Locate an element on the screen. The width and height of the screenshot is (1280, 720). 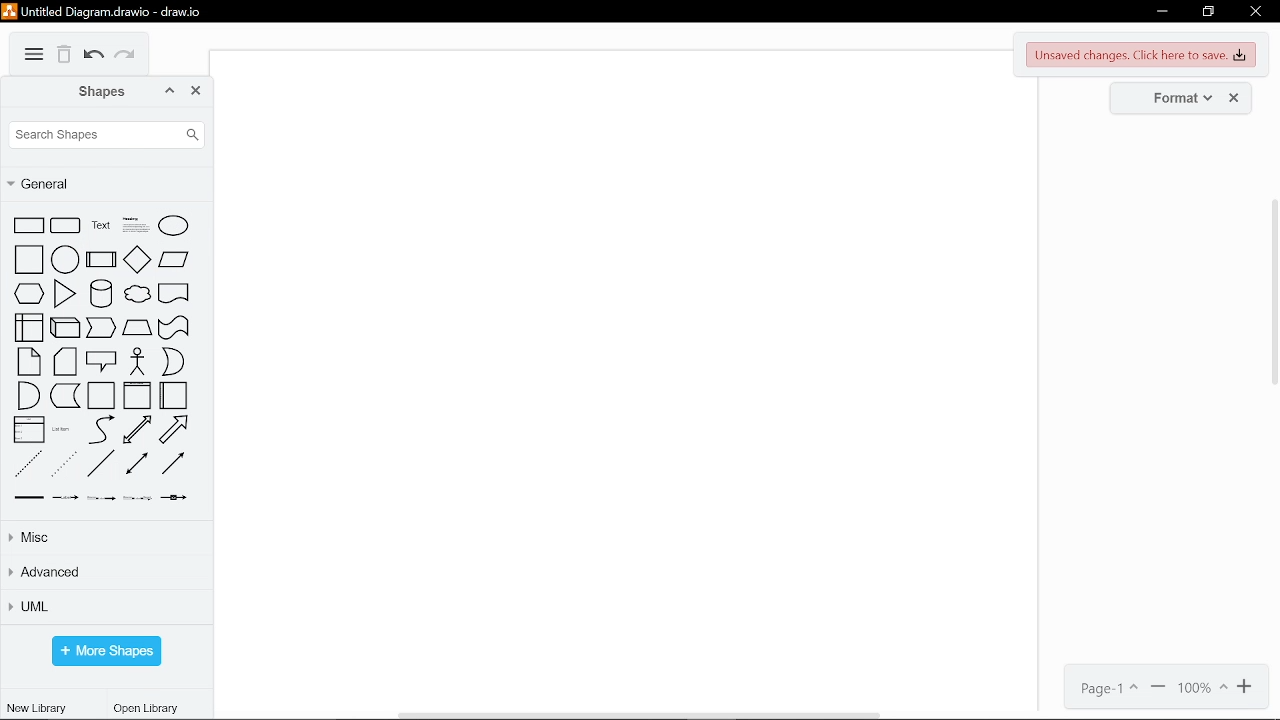
connector with label is located at coordinates (66, 498).